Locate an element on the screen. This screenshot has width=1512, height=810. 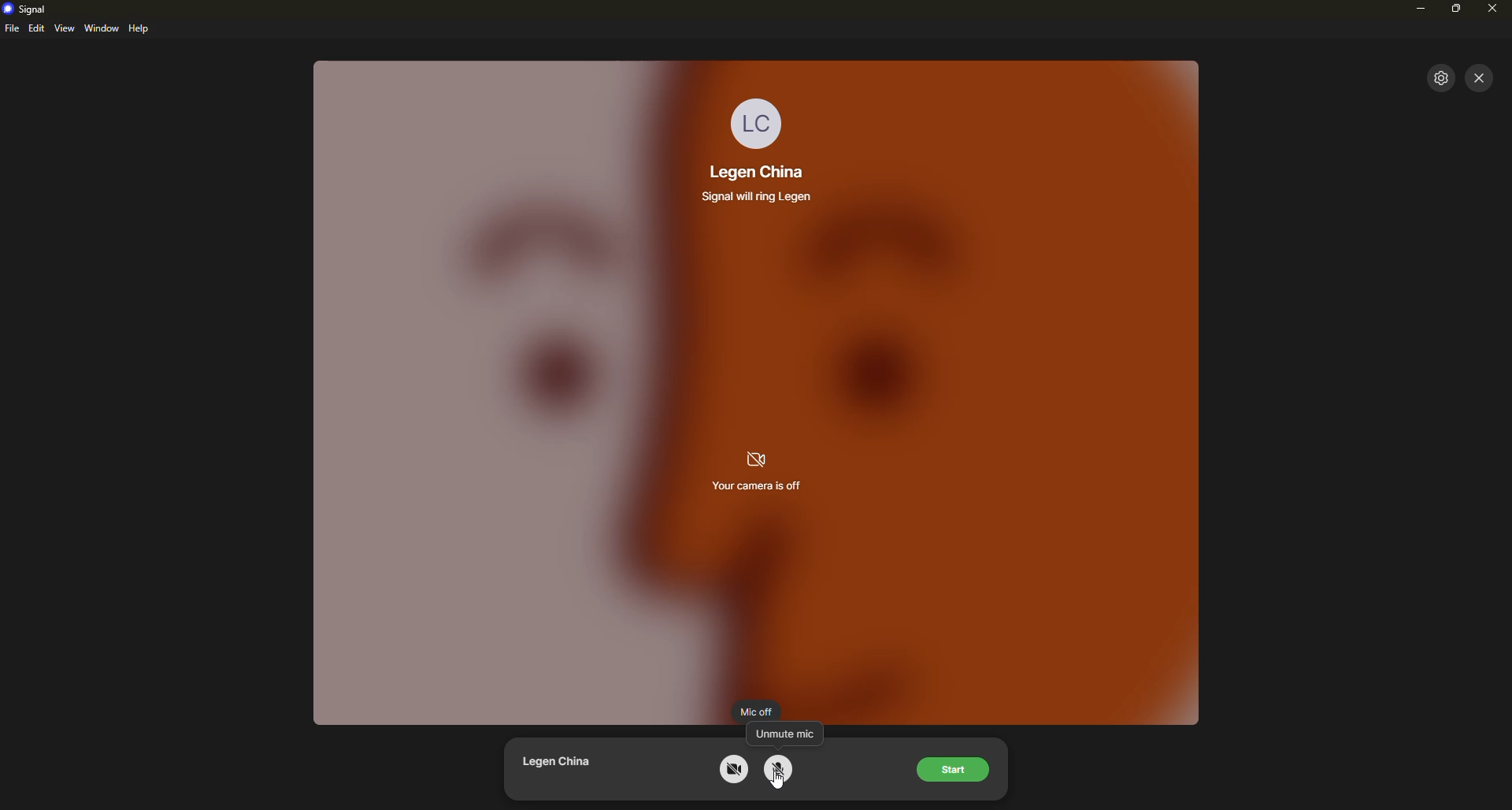
file is located at coordinates (12, 29).